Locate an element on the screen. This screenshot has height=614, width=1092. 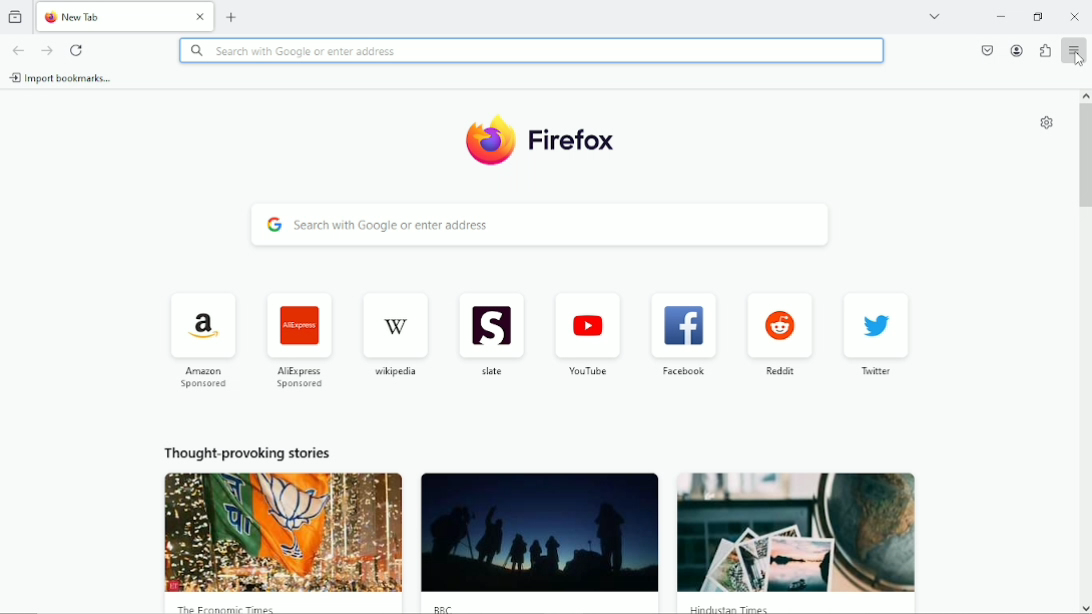
list all tabs is located at coordinates (934, 16).